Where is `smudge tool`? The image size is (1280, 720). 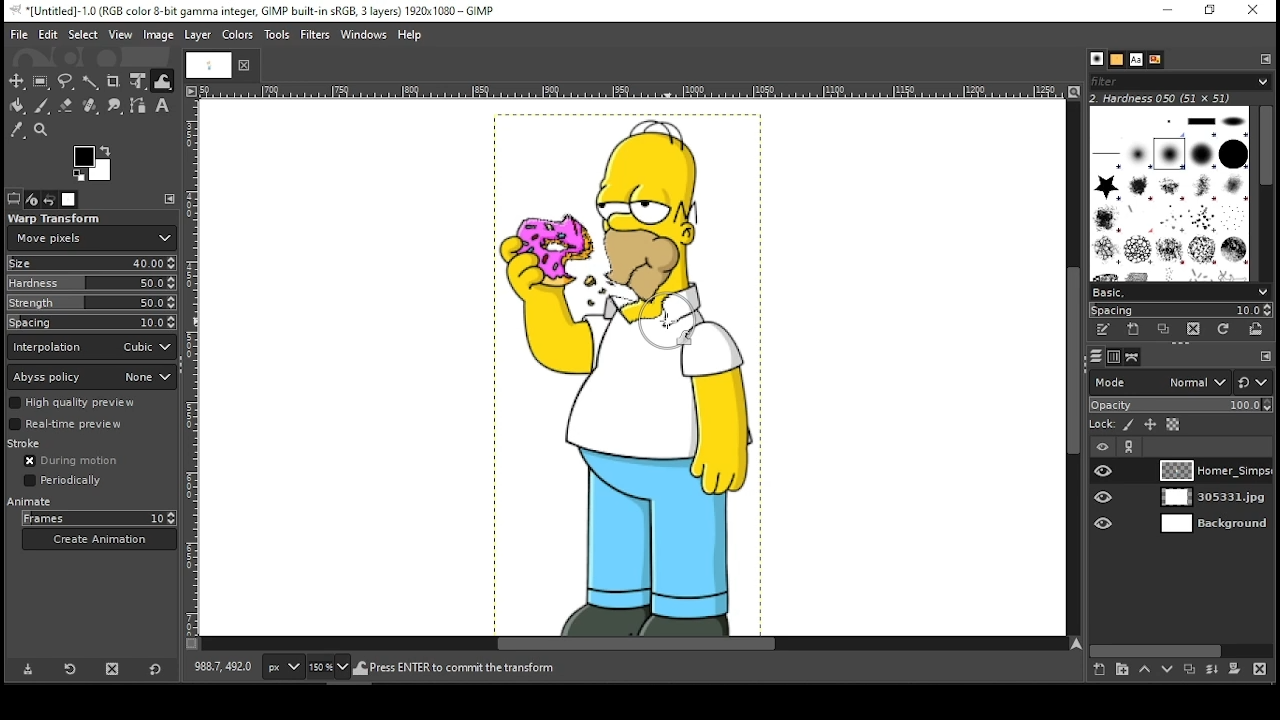
smudge tool is located at coordinates (115, 105).